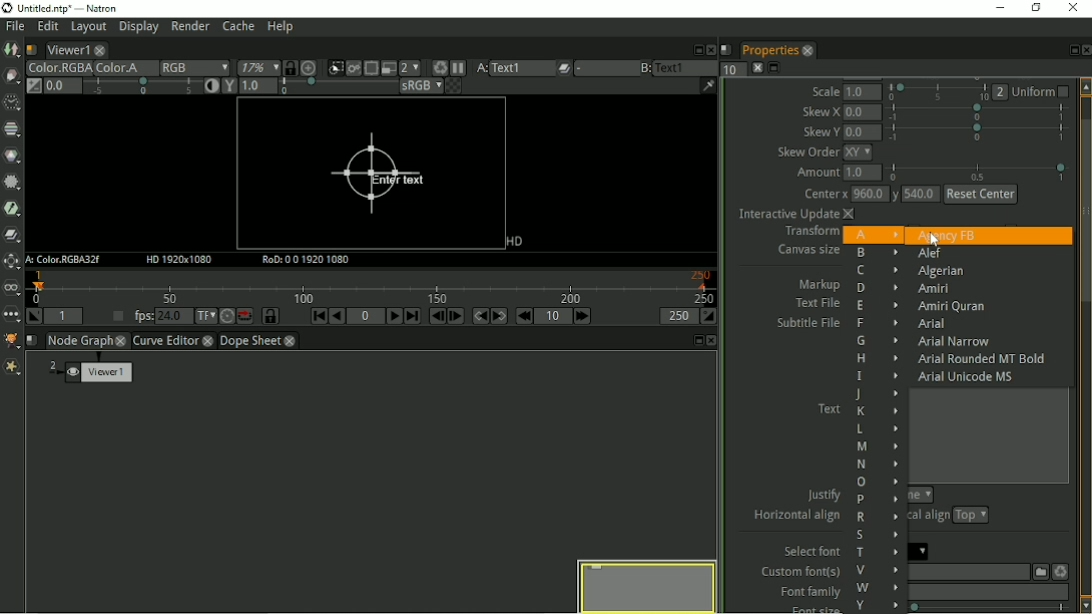 The image size is (1092, 614). I want to click on E, so click(876, 307).